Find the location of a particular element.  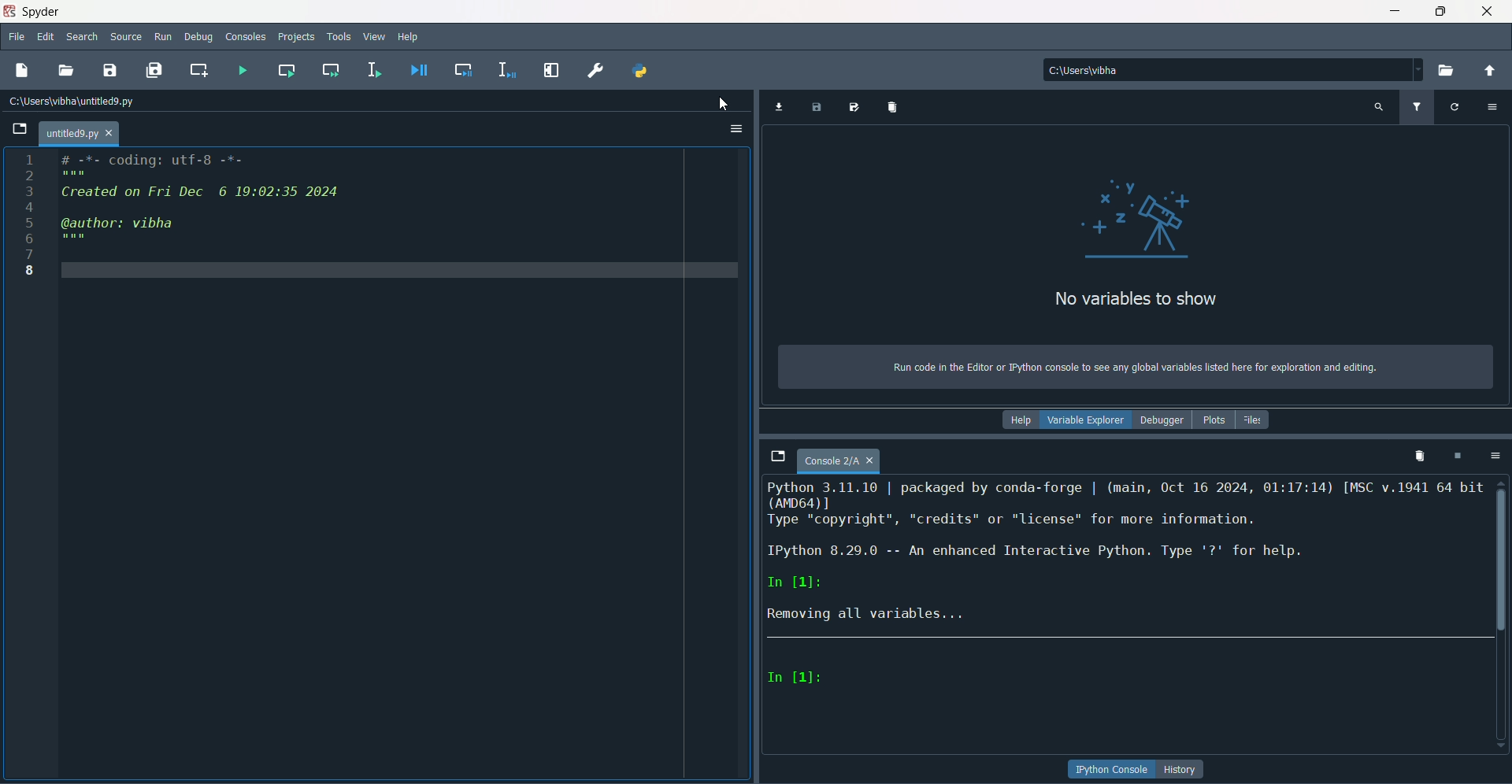

file is located at coordinates (17, 38).